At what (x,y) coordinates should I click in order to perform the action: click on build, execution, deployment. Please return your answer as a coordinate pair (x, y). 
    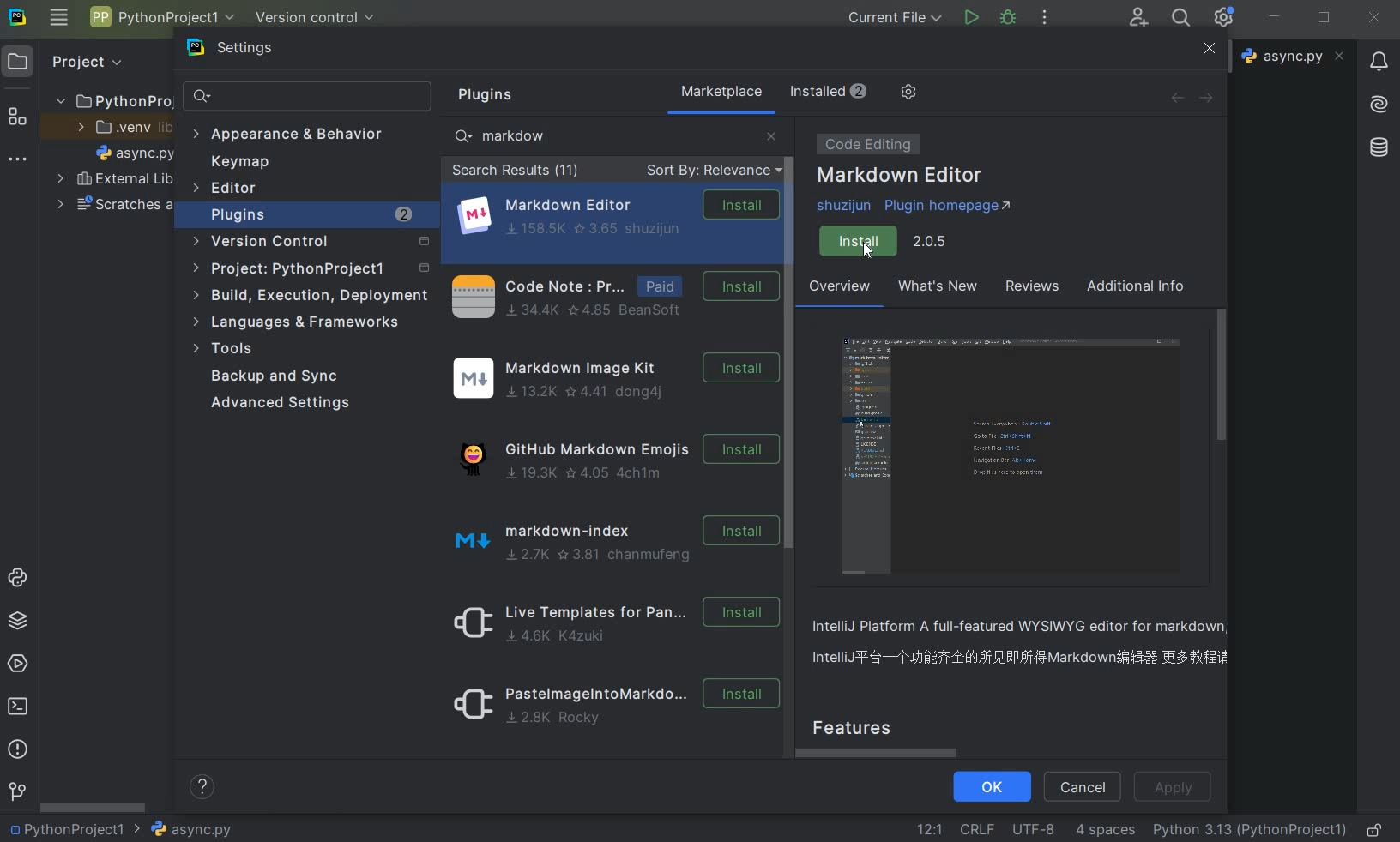
    Looking at the image, I should click on (311, 297).